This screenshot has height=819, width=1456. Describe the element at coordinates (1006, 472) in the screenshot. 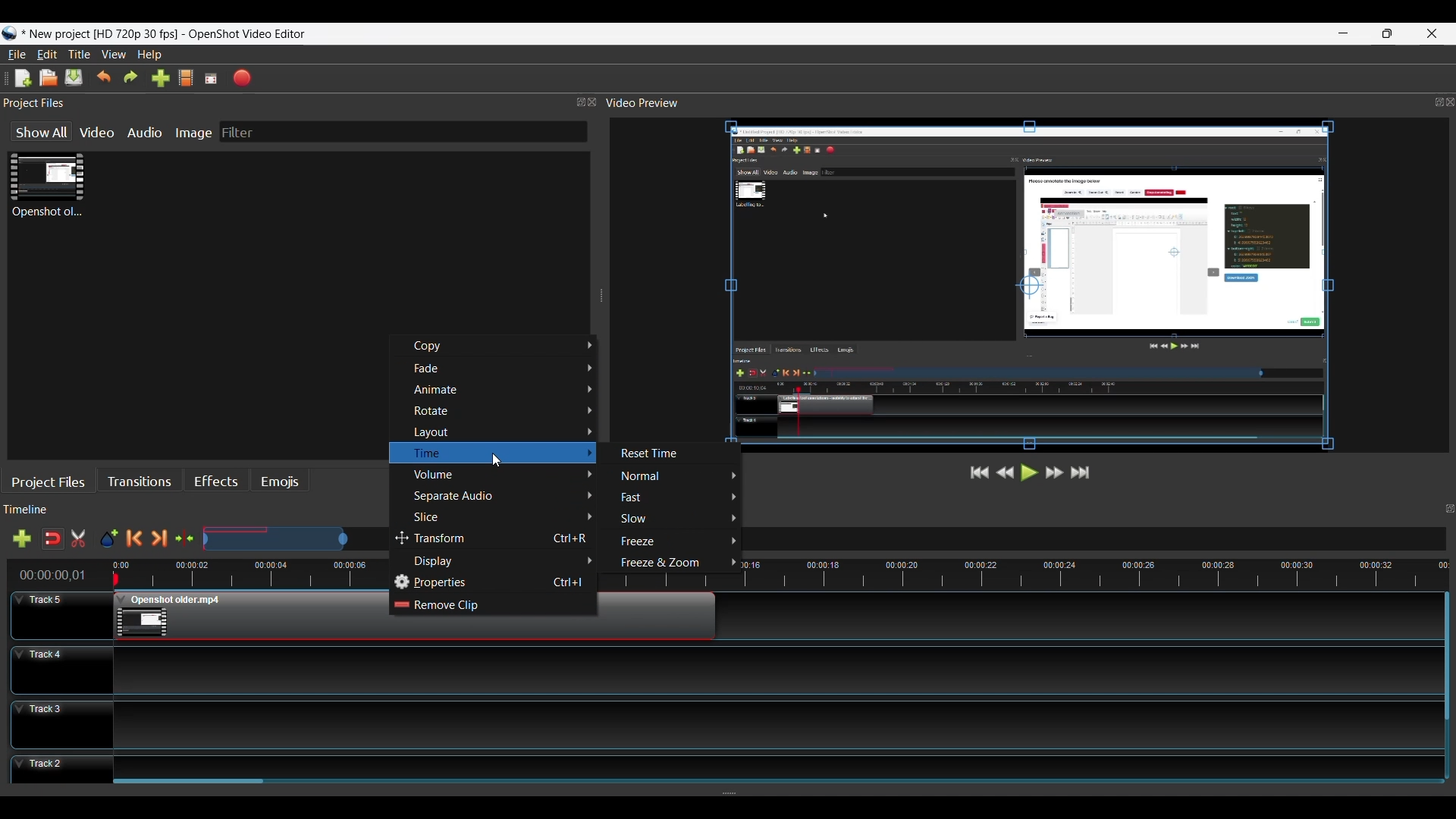

I see `Rewind` at that location.